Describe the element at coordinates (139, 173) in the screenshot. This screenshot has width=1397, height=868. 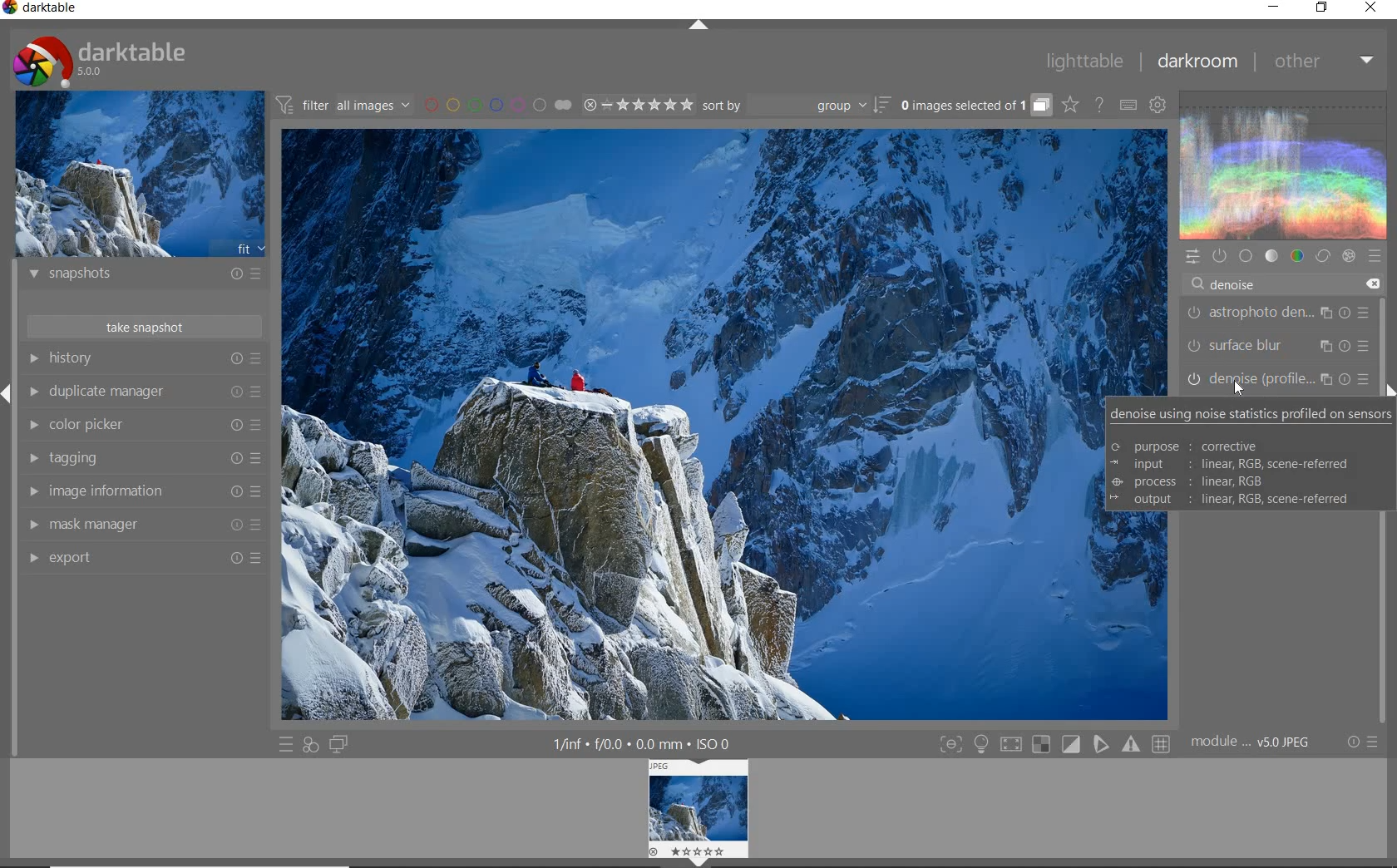
I see `image preview` at that location.